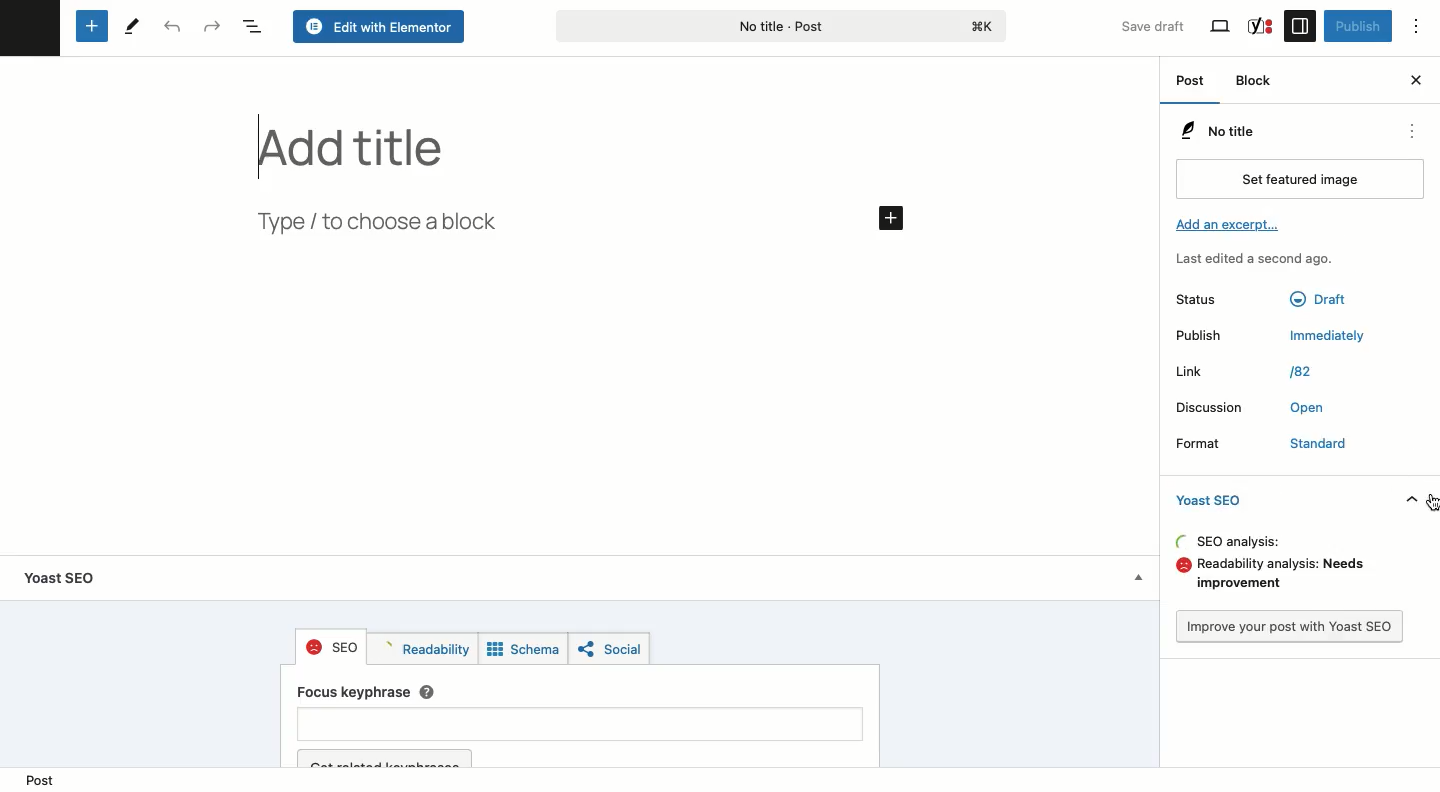 This screenshot has width=1440, height=792. I want to click on Post, so click(38, 776).